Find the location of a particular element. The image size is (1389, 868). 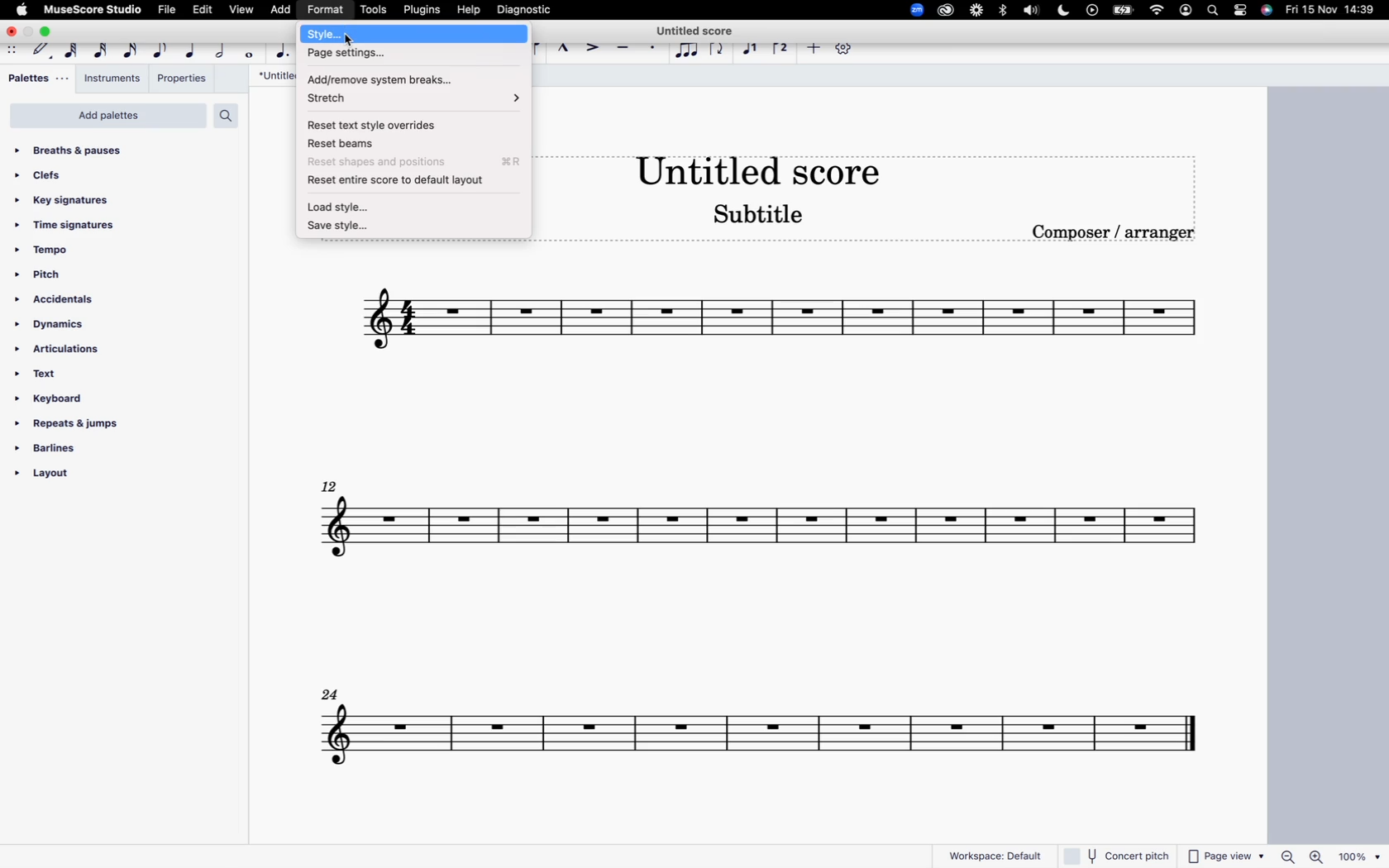

Workspace: Default is located at coordinates (995, 854).